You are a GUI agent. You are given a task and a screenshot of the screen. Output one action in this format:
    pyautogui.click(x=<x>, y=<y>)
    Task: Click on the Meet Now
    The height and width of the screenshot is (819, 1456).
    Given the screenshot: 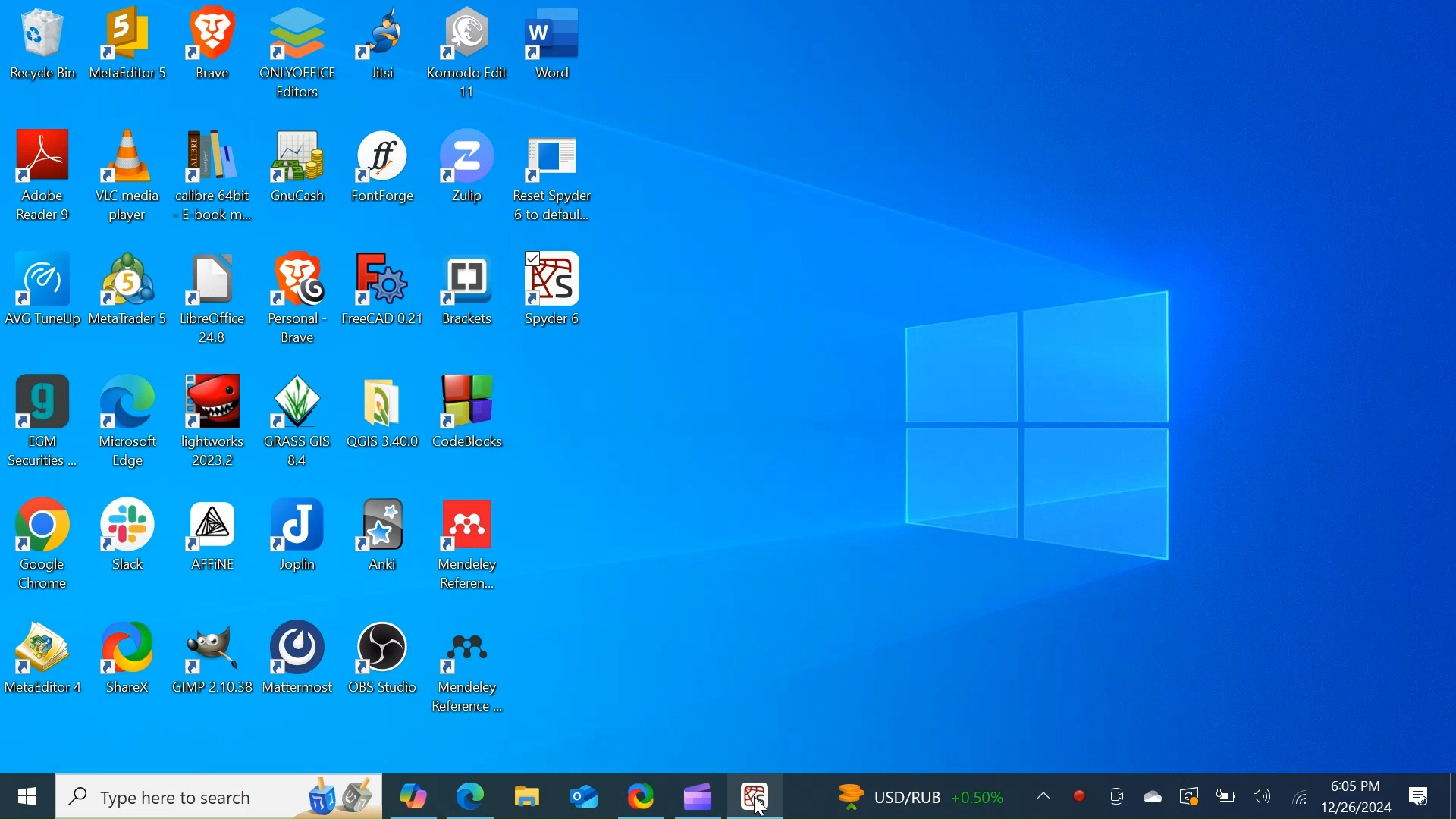 What is the action you would take?
    pyautogui.click(x=1114, y=795)
    